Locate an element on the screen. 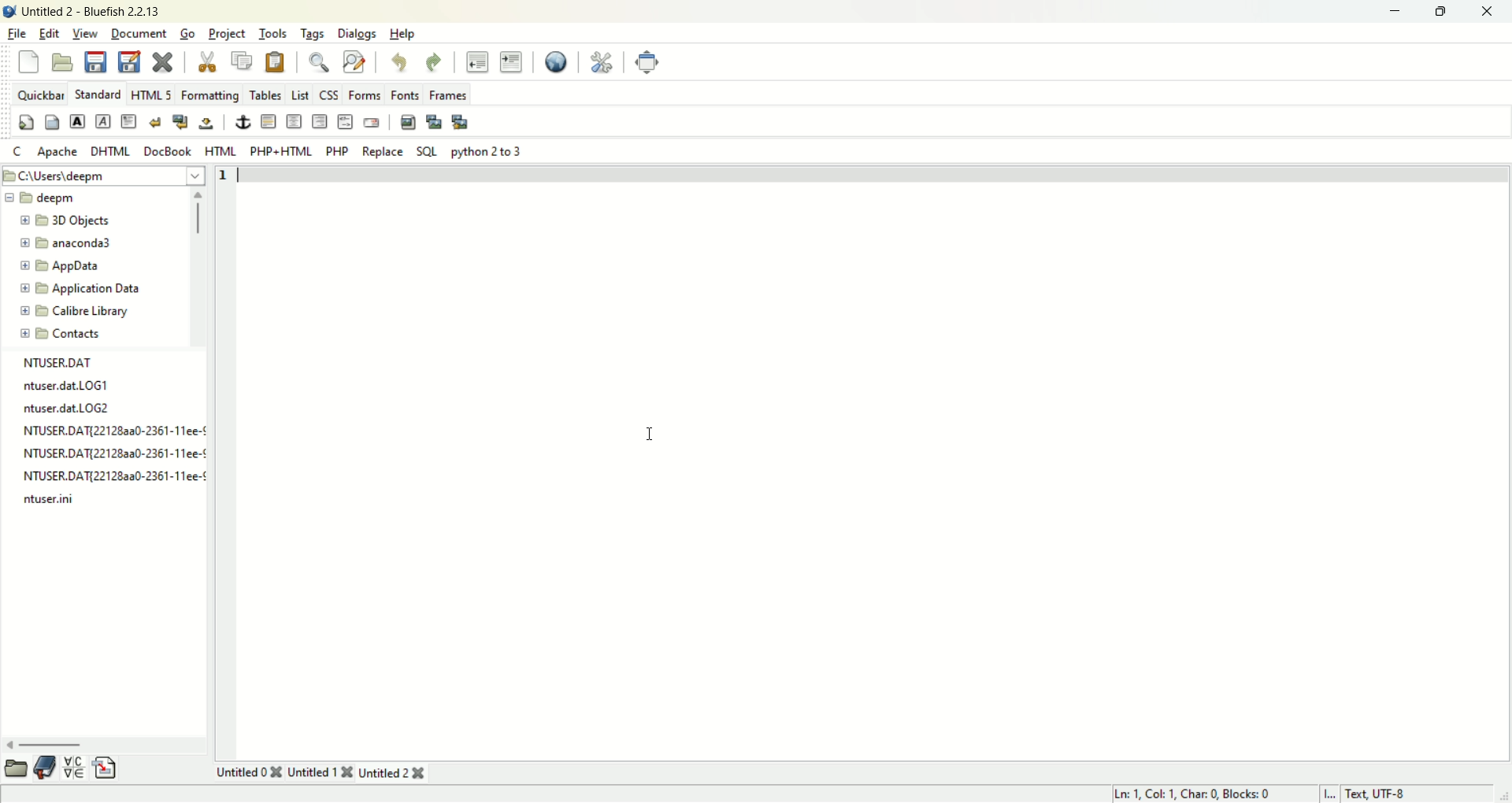 This screenshot has width=1512, height=803. open is located at coordinates (63, 62).